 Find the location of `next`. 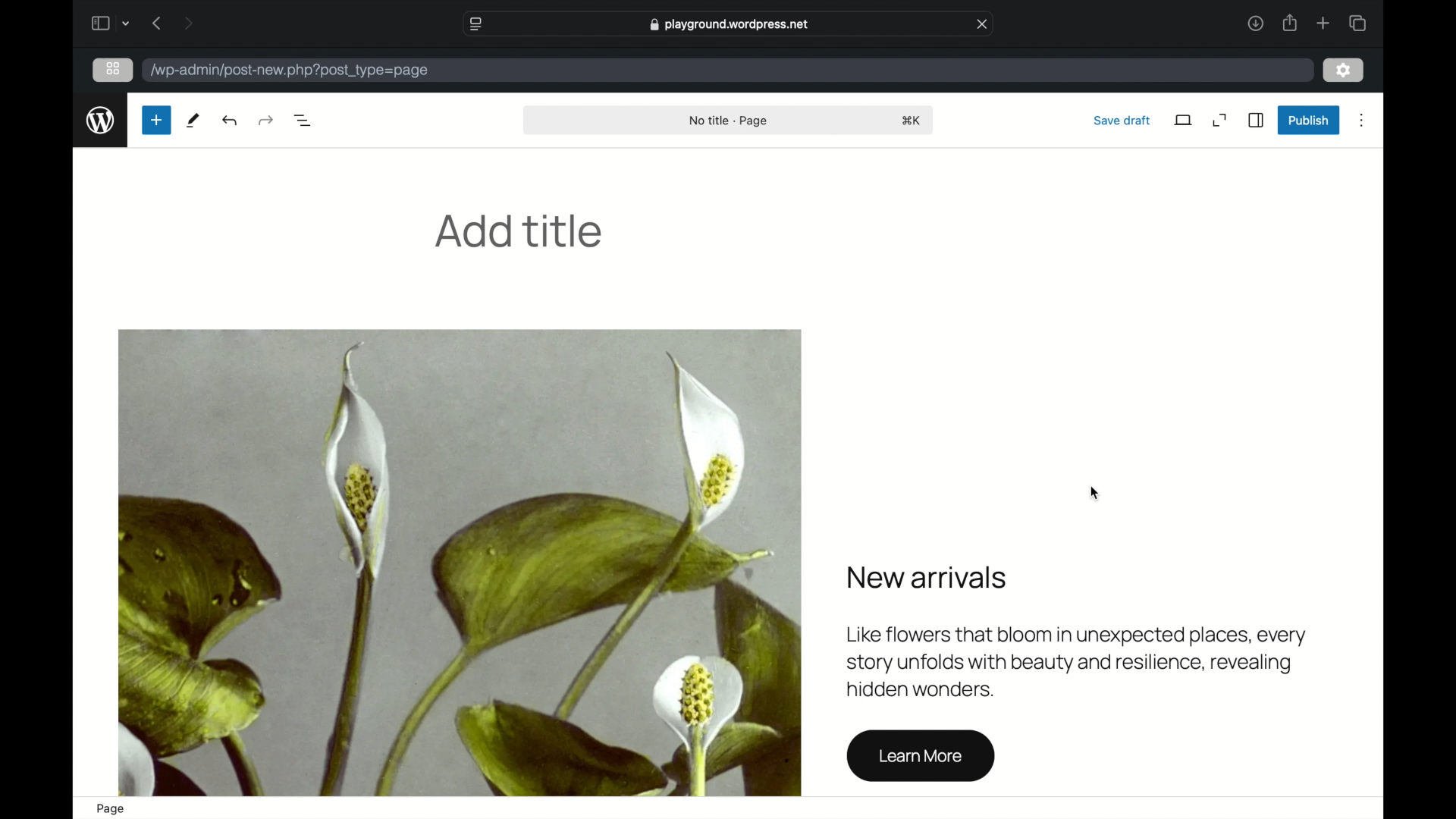

next is located at coordinates (188, 23).